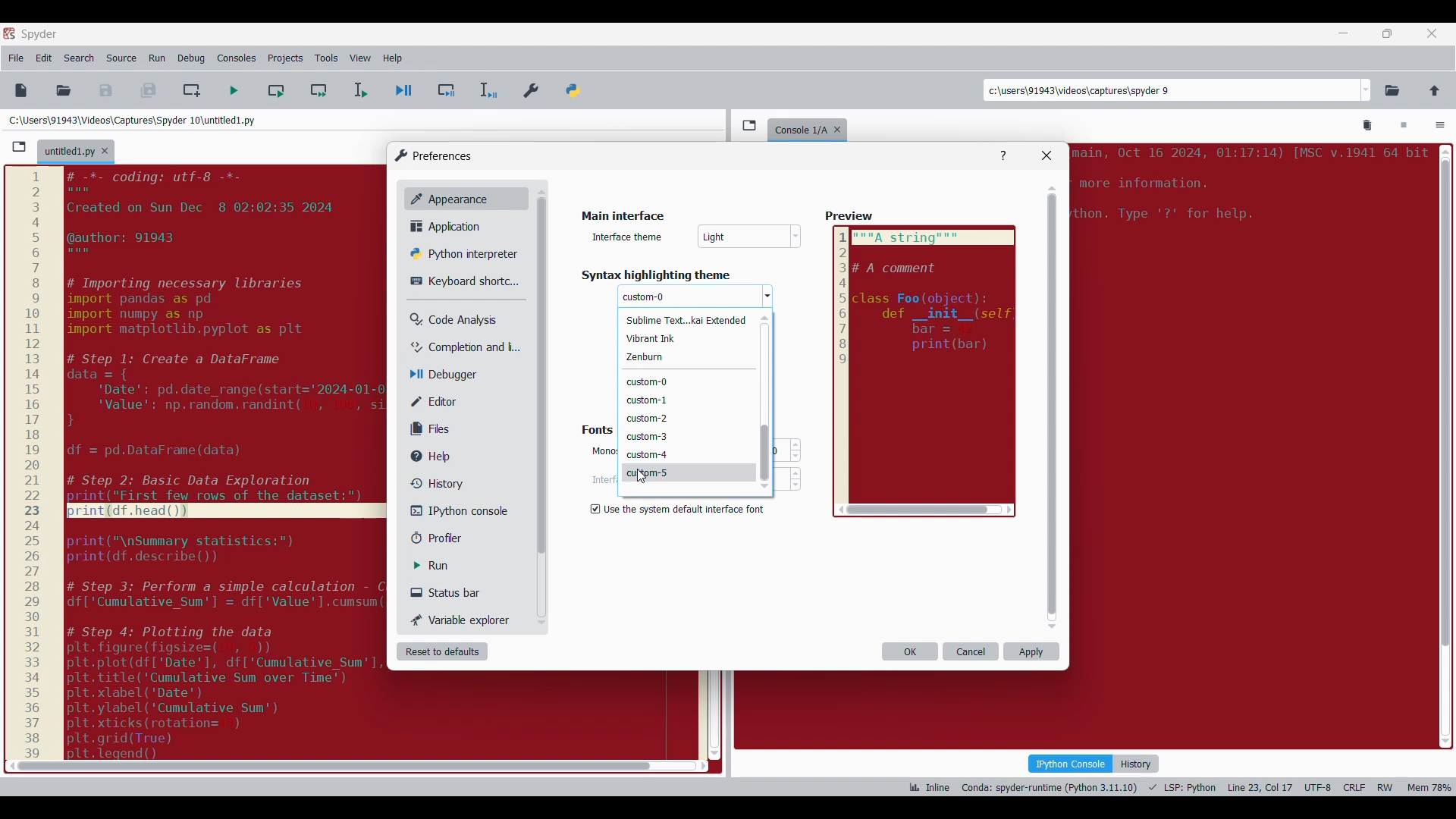 The image size is (1456, 819). I want to click on Projects menu, so click(285, 58).